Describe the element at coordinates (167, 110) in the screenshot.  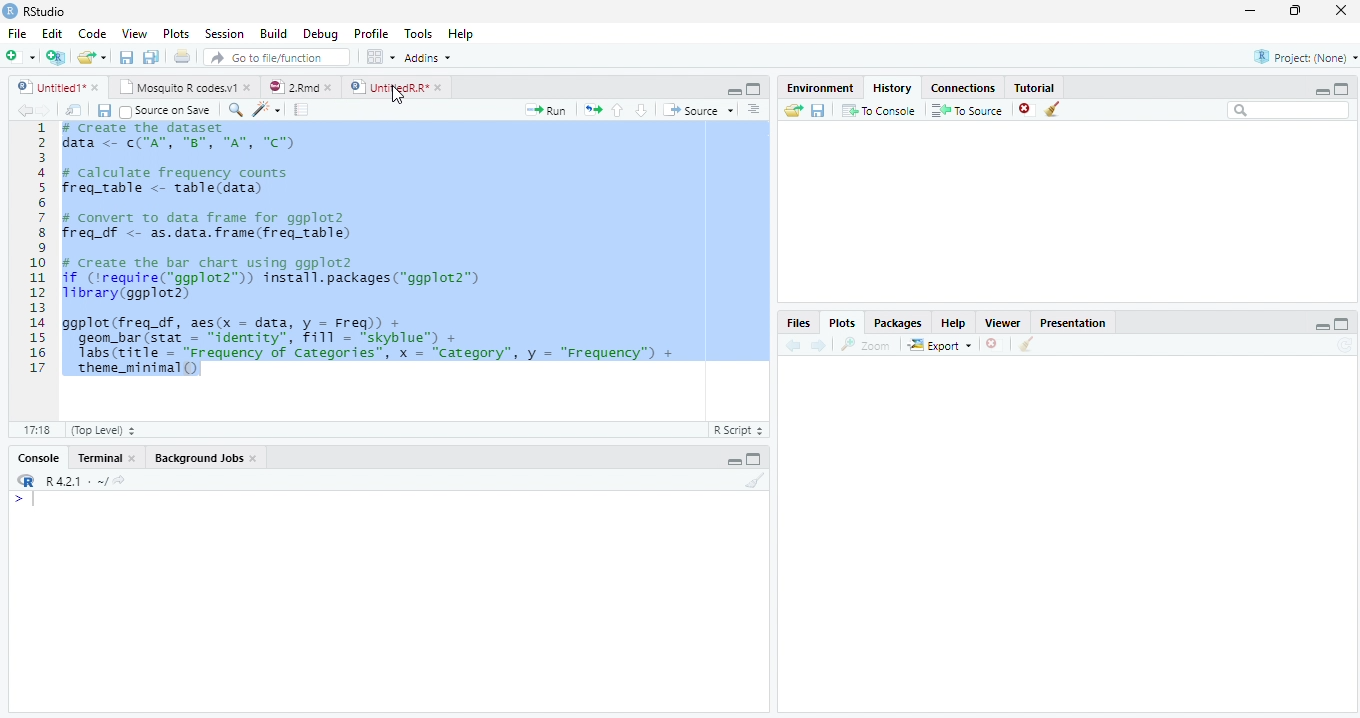
I see `Source on Save` at that location.